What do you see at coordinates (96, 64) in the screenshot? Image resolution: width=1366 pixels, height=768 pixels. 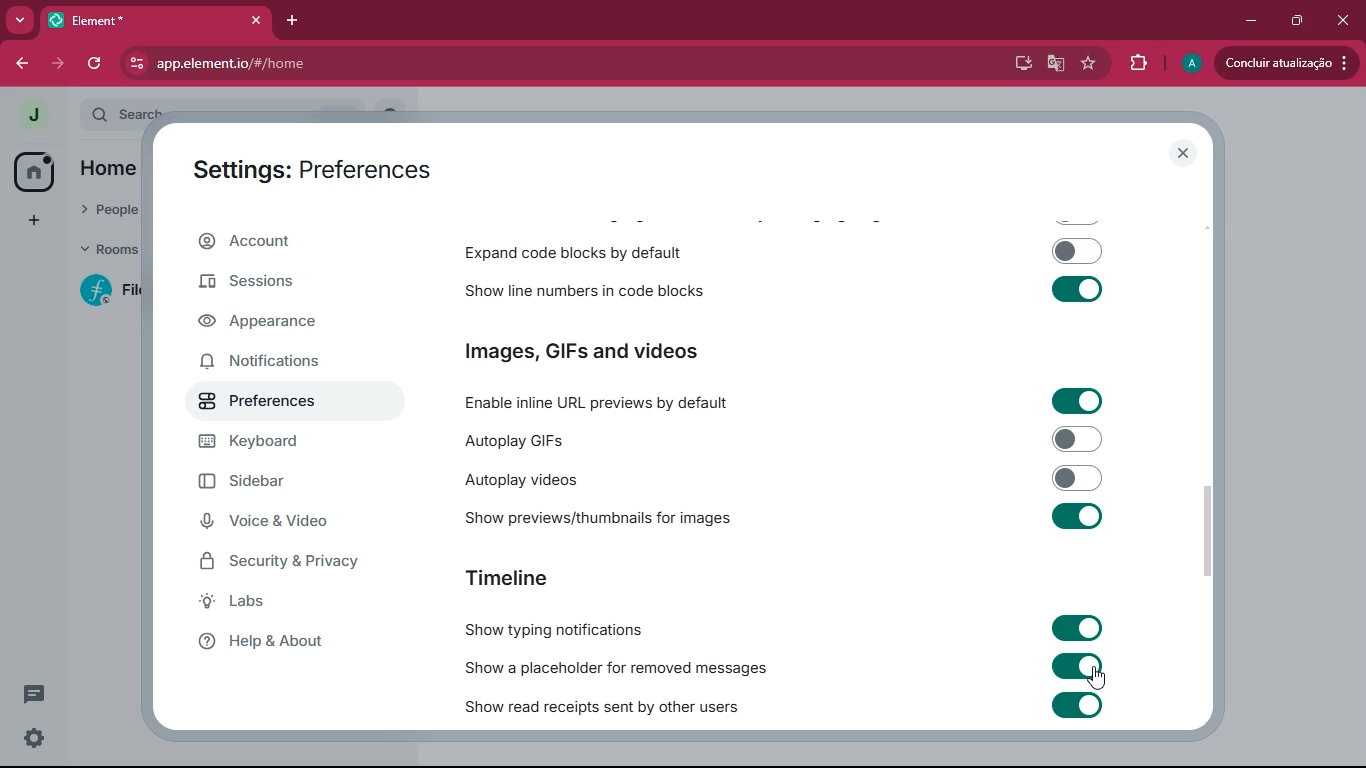 I see `refresh` at bounding box center [96, 64].